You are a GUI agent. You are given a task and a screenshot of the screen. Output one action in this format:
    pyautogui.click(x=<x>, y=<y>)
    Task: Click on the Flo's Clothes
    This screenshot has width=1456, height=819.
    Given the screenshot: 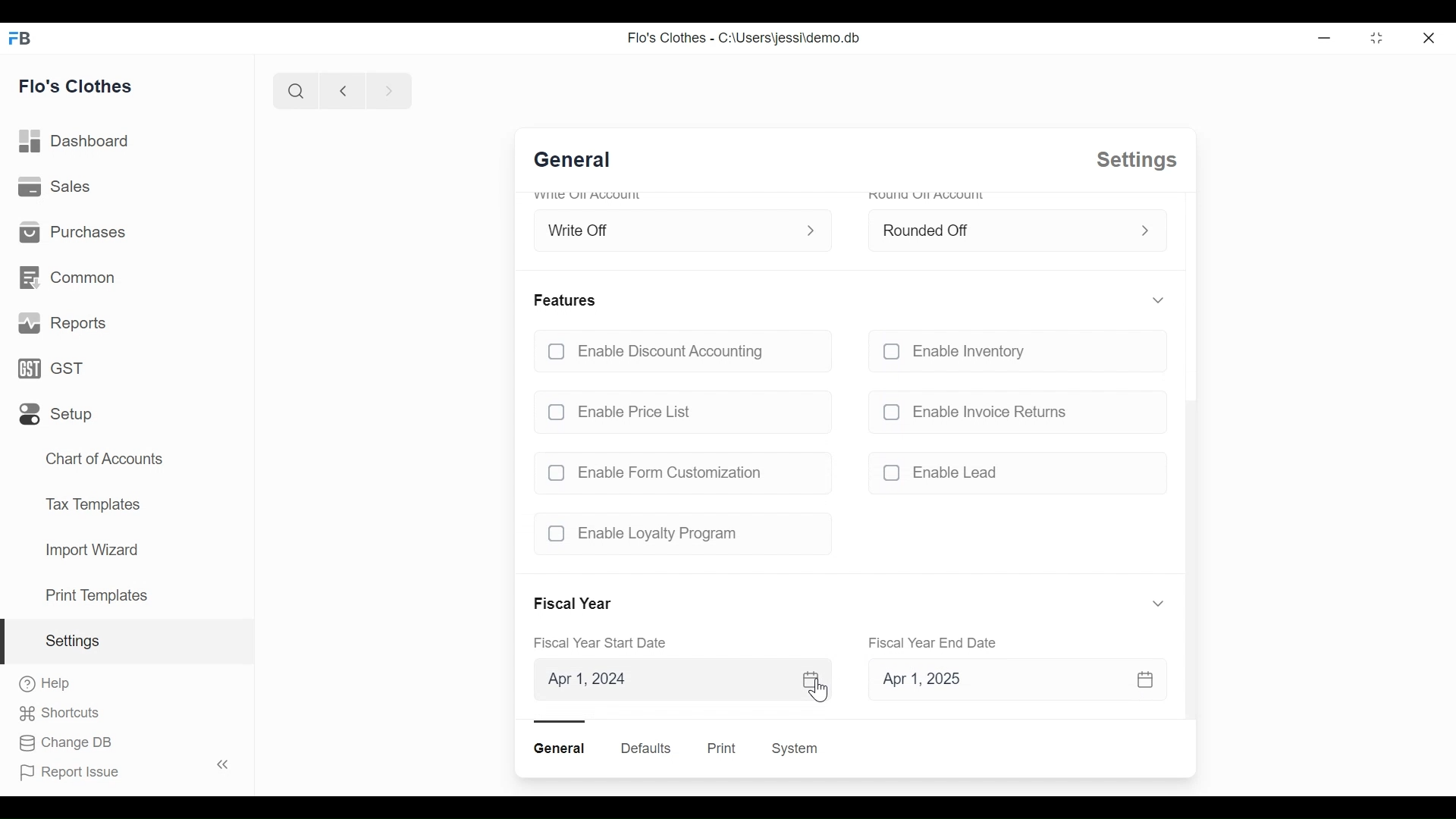 What is the action you would take?
    pyautogui.click(x=76, y=84)
    